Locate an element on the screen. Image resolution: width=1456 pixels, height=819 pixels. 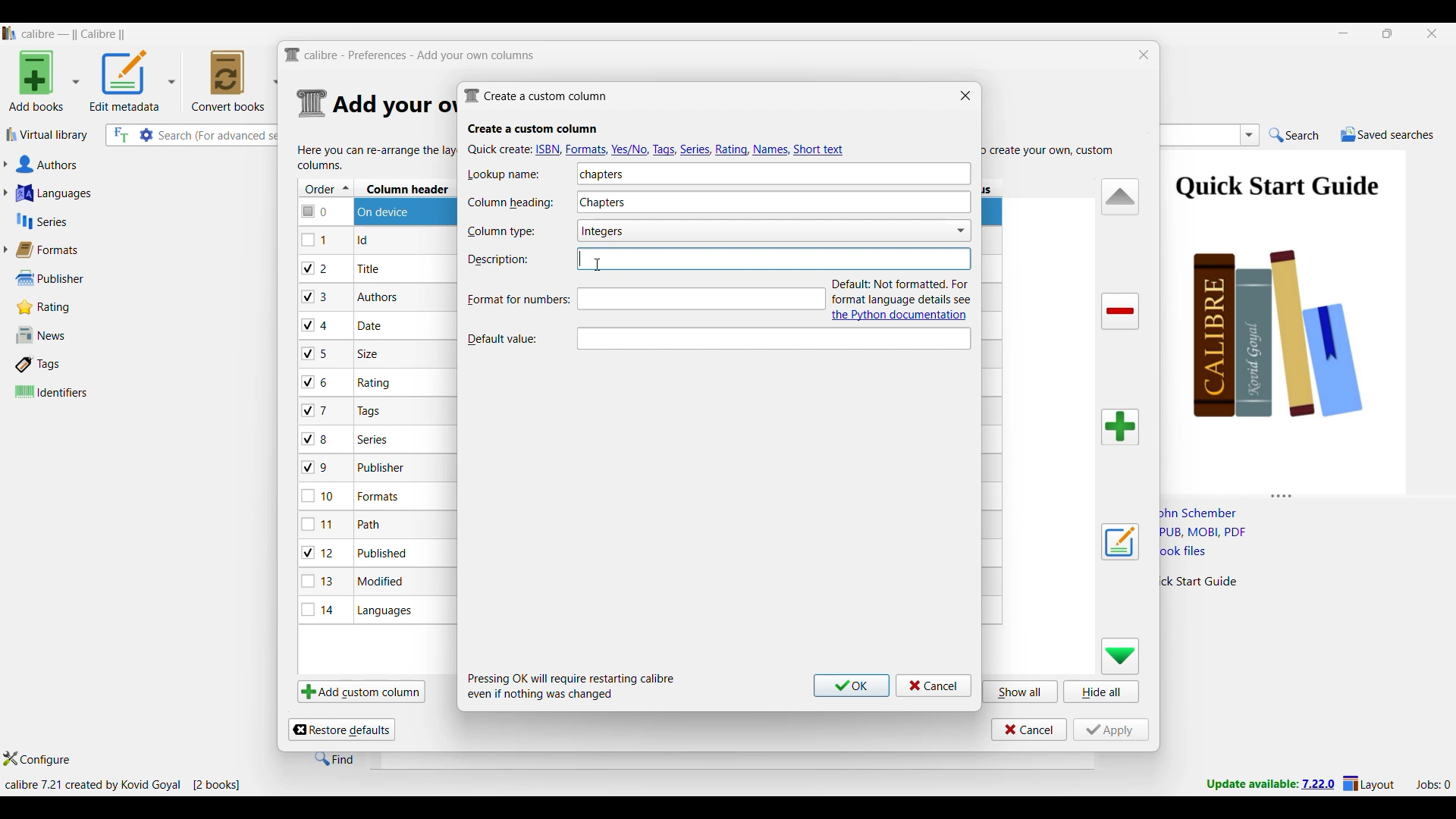
Section title is located at coordinates (533, 129).